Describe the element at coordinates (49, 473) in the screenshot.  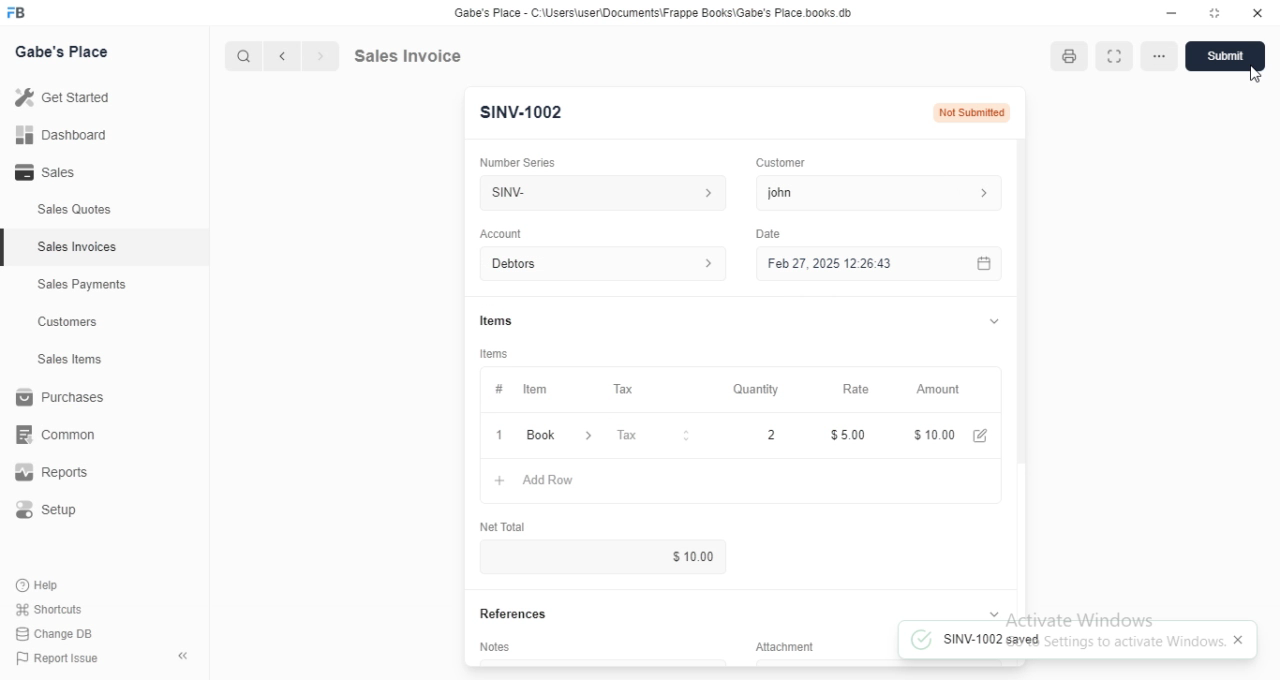
I see `Reports` at that location.